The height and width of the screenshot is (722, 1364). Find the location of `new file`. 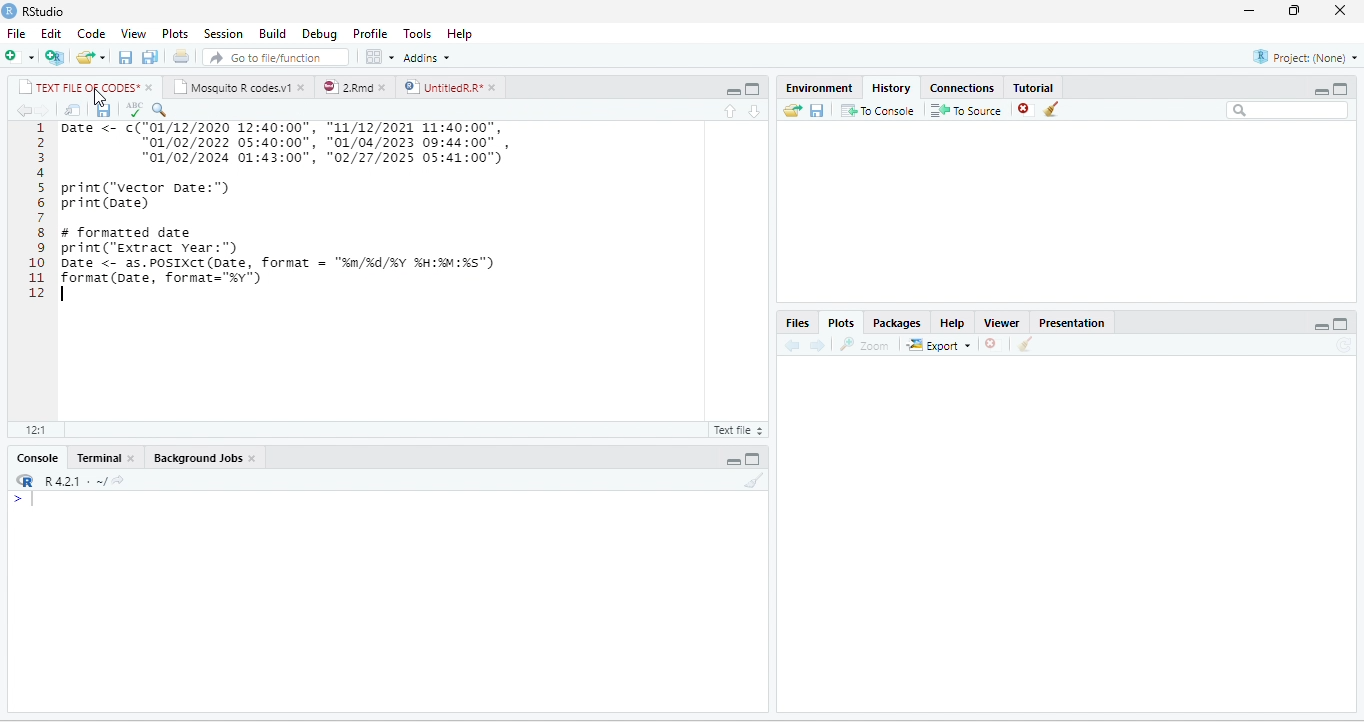

new file is located at coordinates (20, 57).